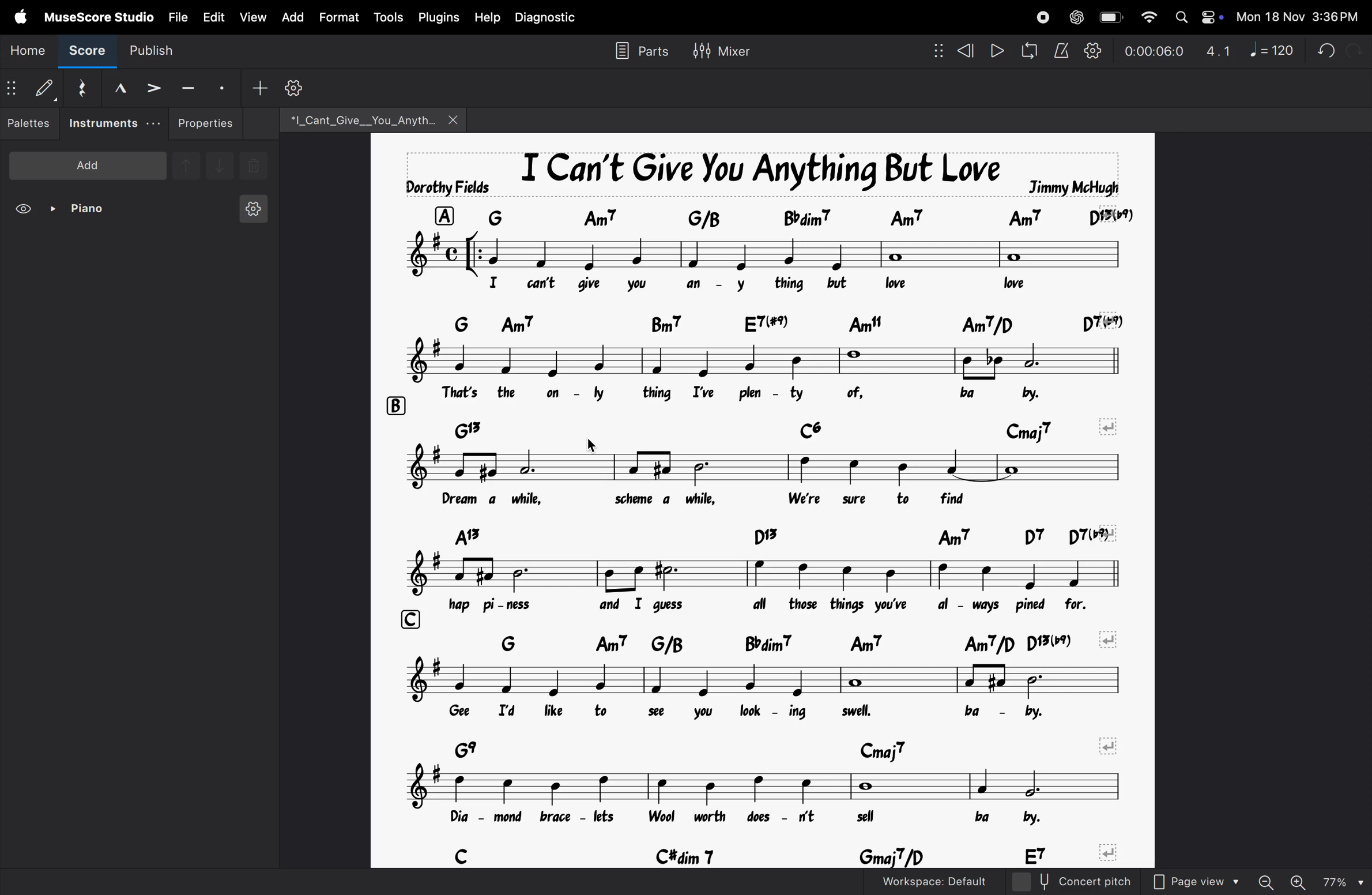 This screenshot has height=895, width=1372. What do you see at coordinates (1109, 17) in the screenshot?
I see `battery` at bounding box center [1109, 17].